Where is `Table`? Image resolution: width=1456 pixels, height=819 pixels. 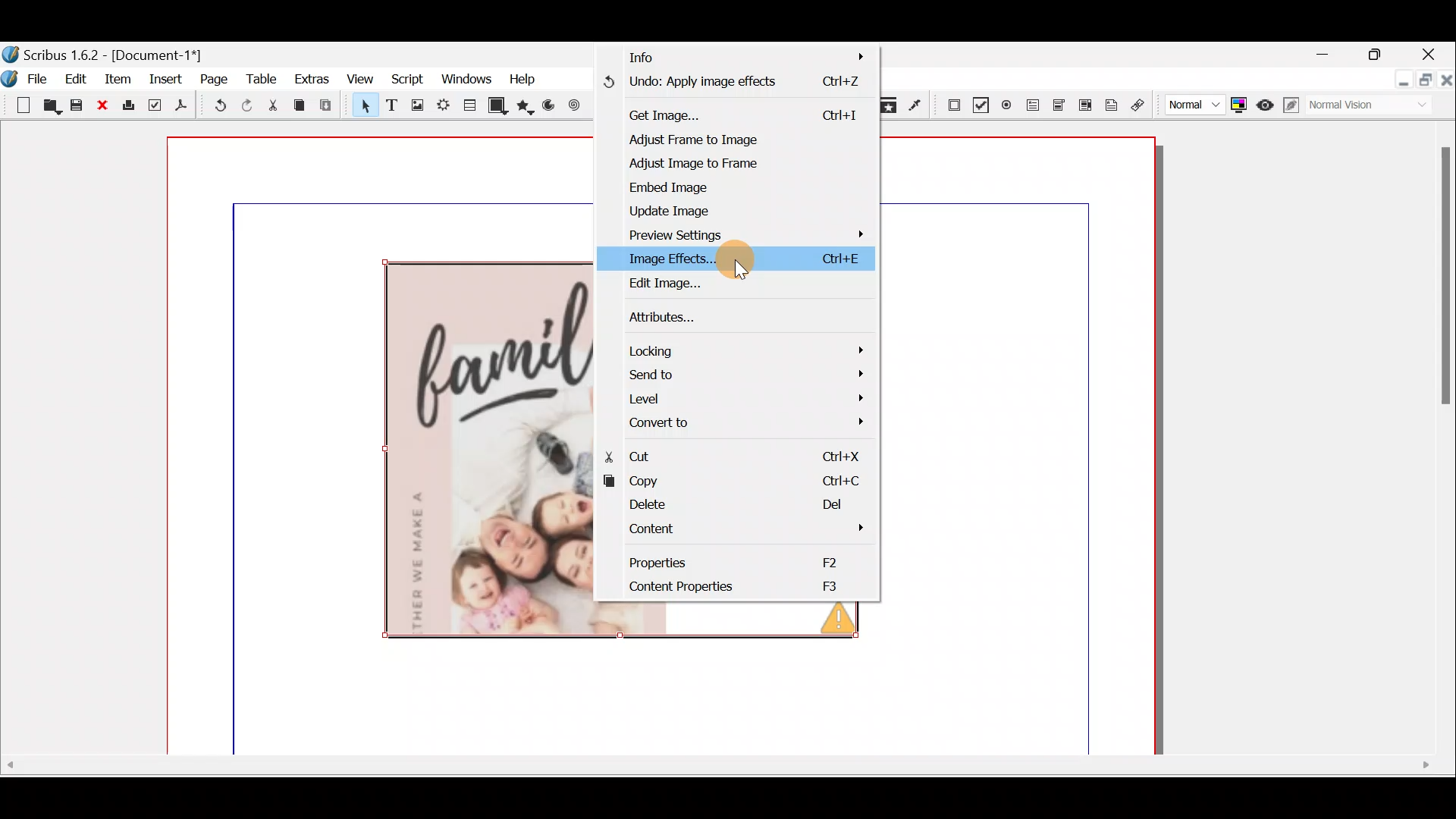
Table is located at coordinates (472, 109).